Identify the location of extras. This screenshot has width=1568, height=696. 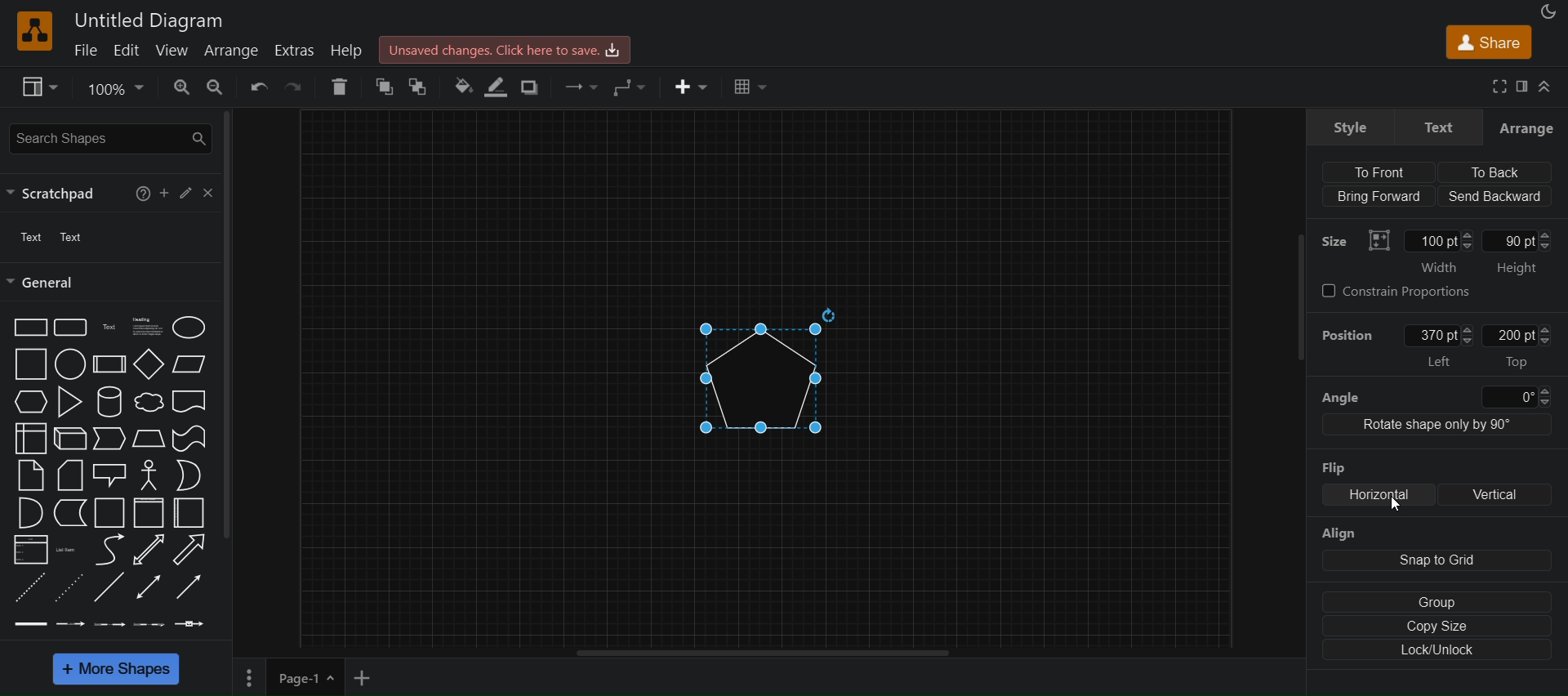
(296, 51).